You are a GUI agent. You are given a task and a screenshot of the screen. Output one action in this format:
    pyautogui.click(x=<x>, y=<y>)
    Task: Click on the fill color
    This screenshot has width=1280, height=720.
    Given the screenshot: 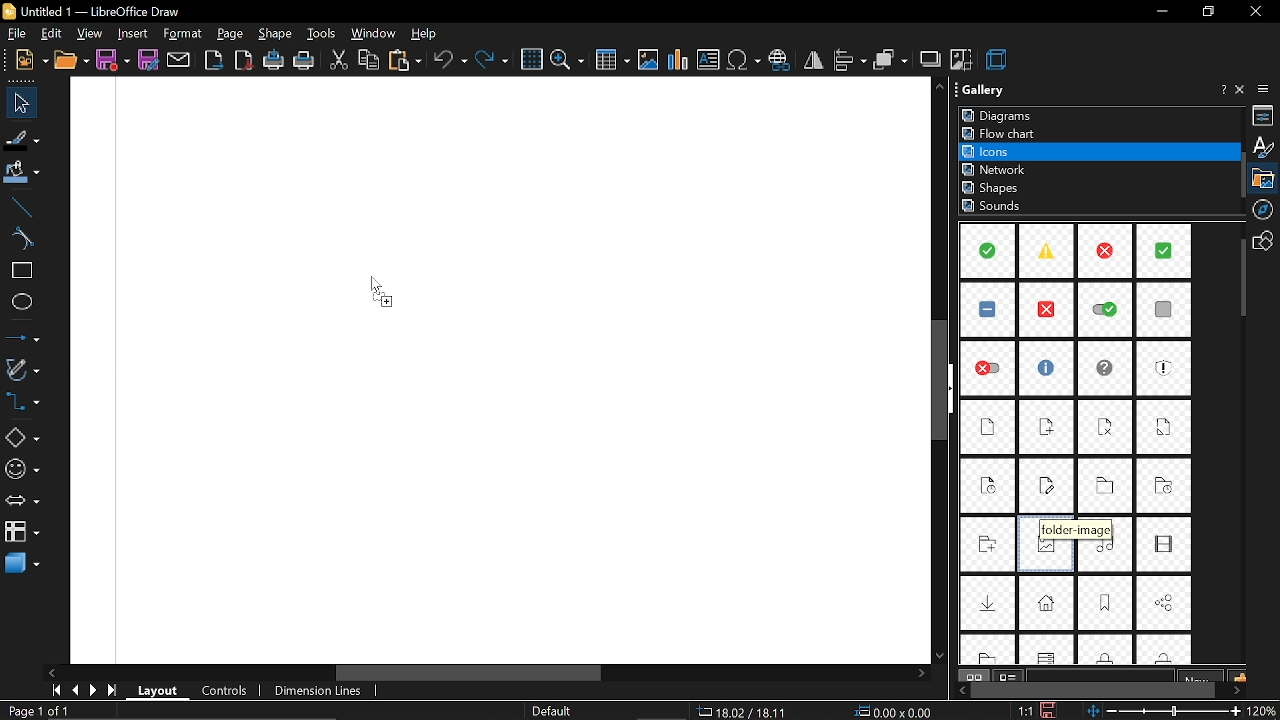 What is the action you would take?
    pyautogui.click(x=19, y=173)
    